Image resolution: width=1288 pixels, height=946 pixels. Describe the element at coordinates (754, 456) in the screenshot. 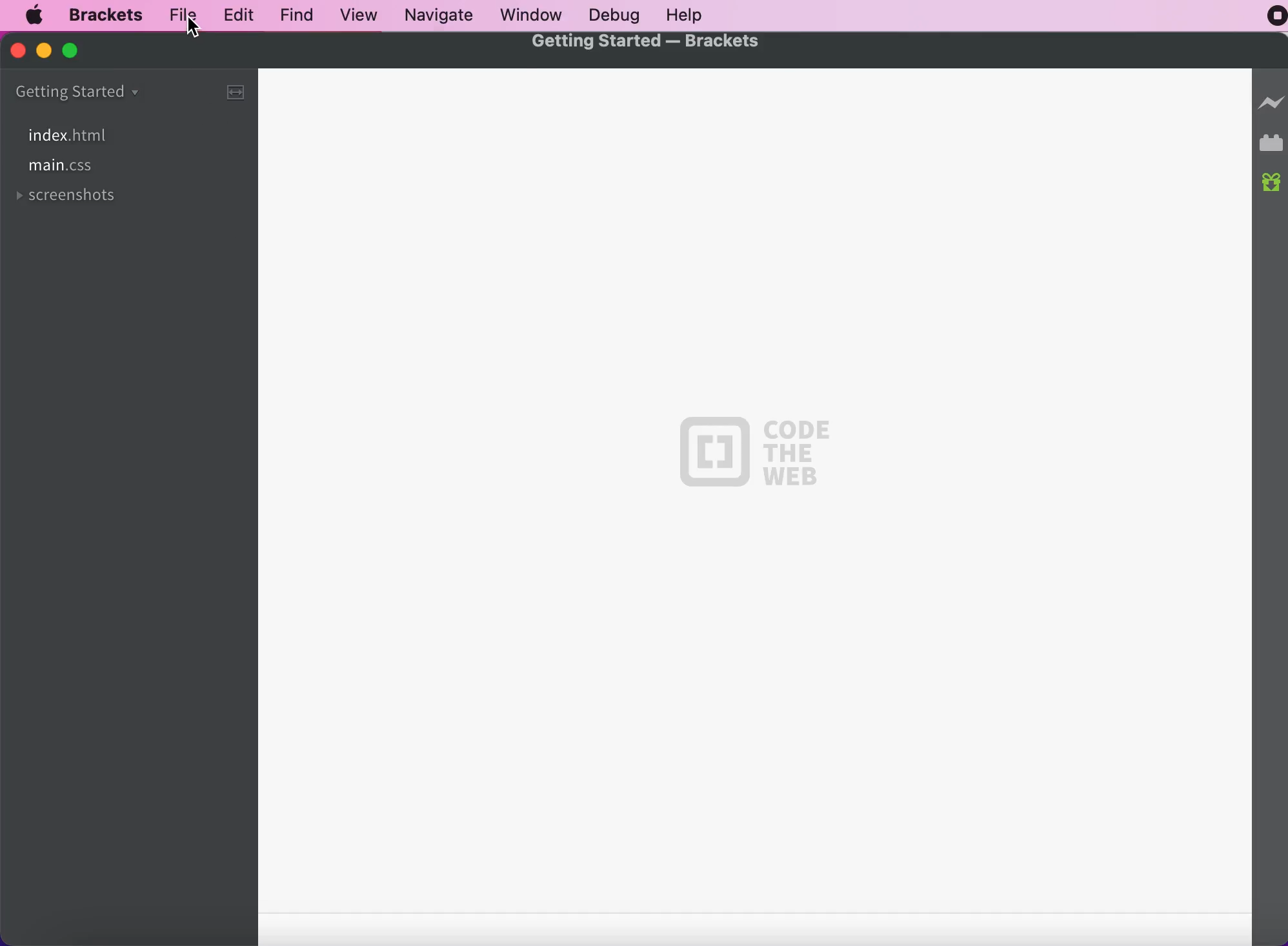

I see `CODE THE WEB` at that location.